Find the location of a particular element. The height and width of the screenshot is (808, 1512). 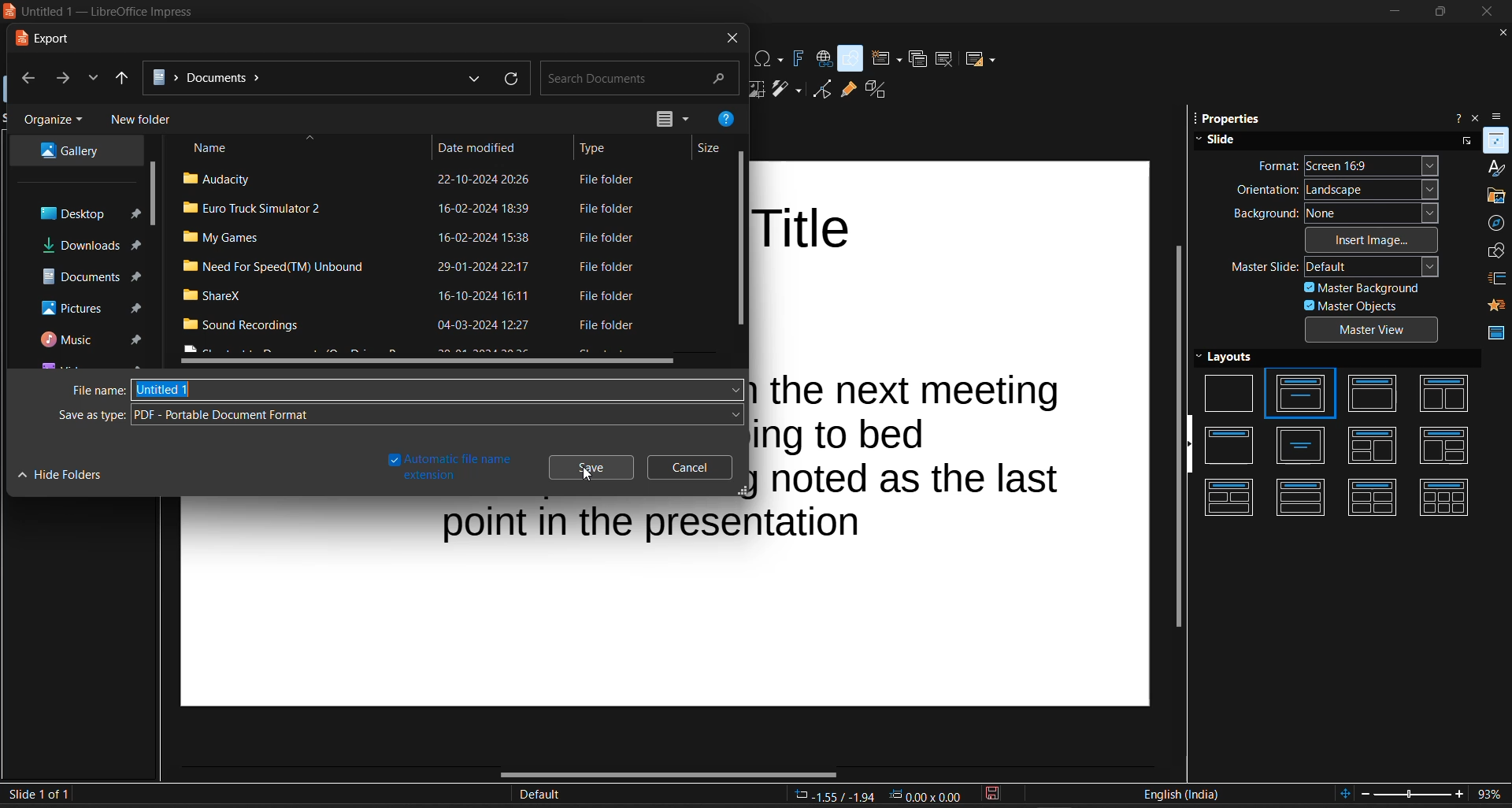

Pictures is located at coordinates (91, 305).